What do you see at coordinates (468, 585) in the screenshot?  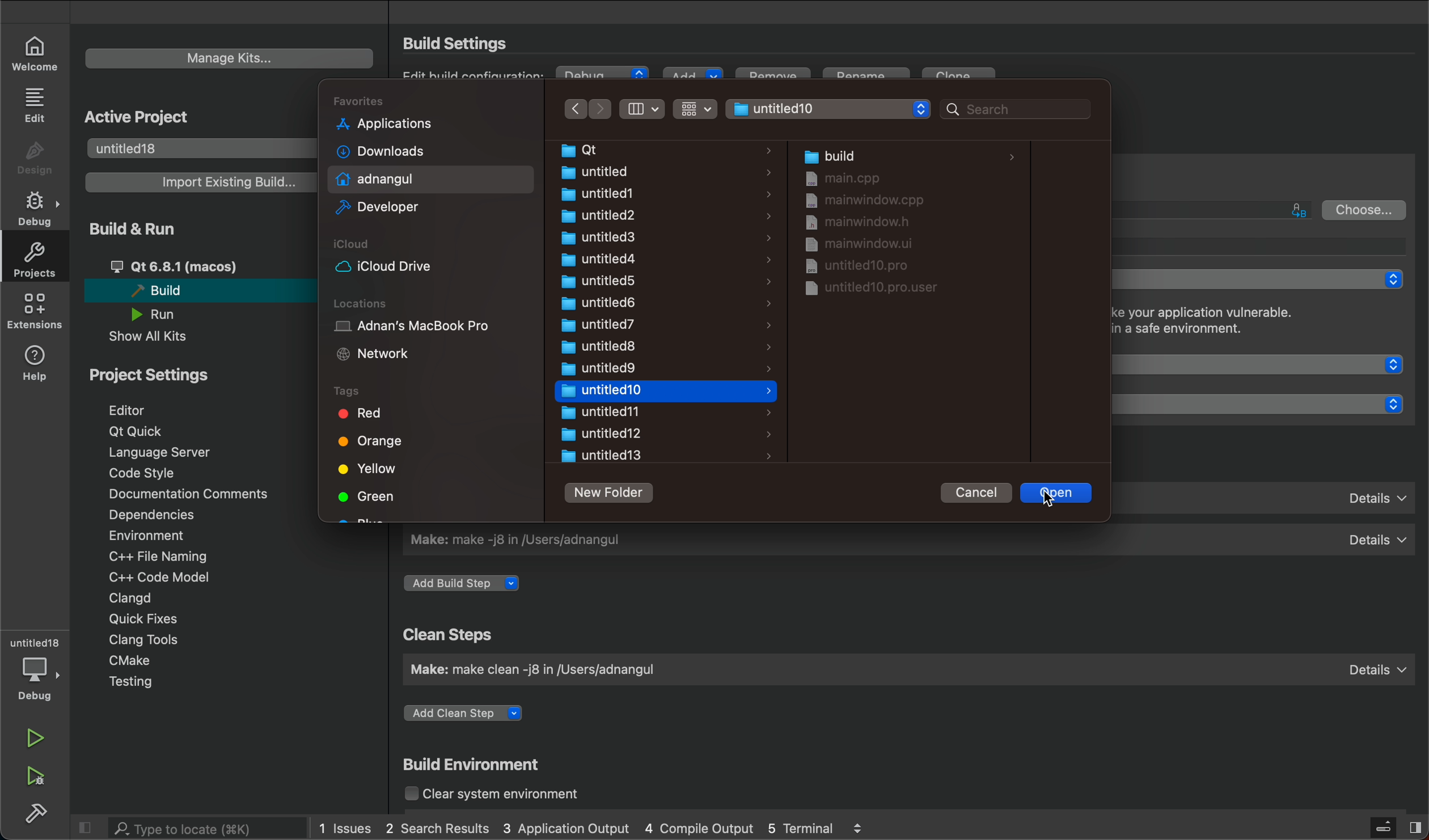 I see `add build step` at bounding box center [468, 585].